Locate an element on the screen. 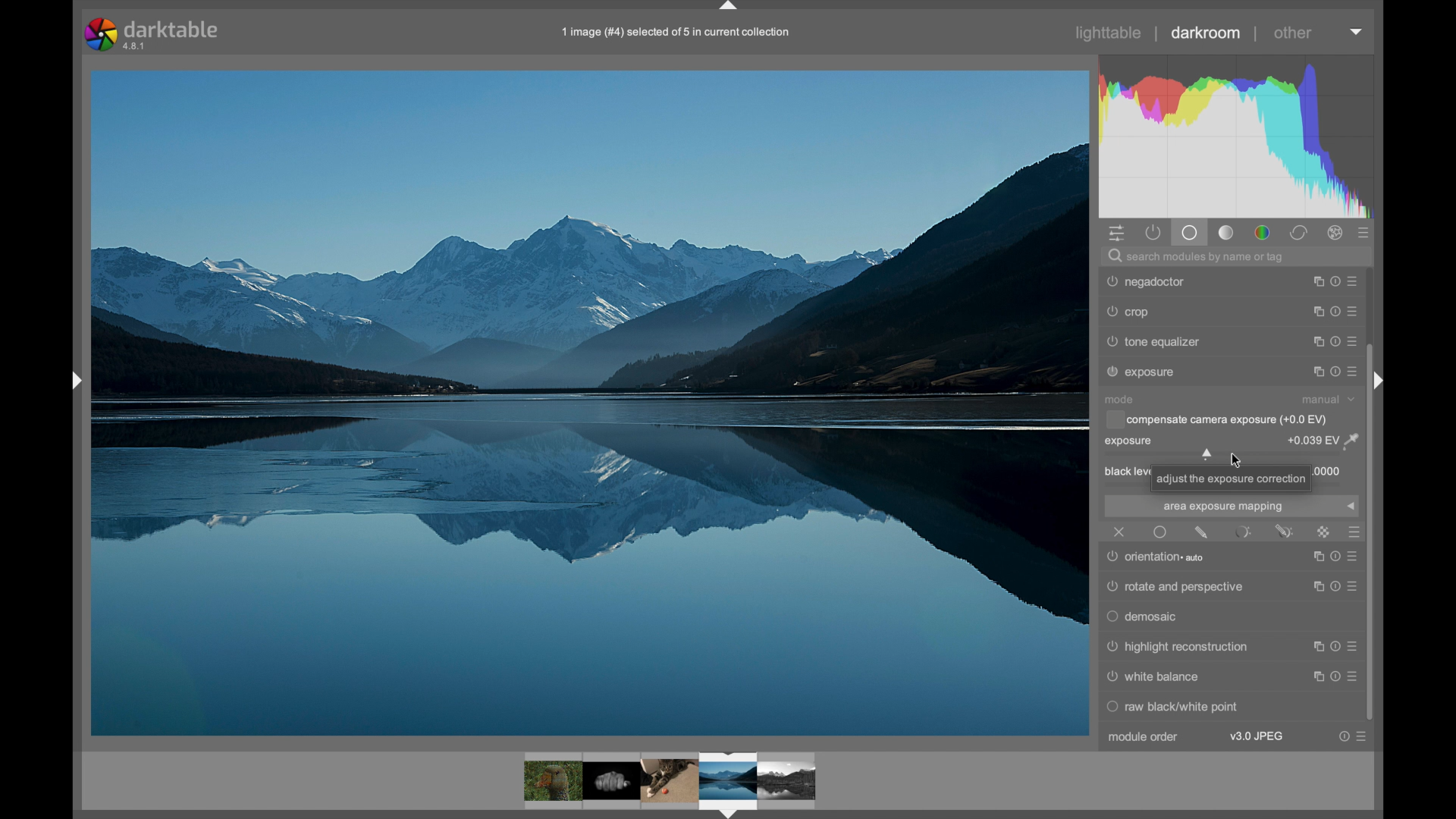 The image size is (1456, 819). shadows and highlights is located at coordinates (1177, 312).